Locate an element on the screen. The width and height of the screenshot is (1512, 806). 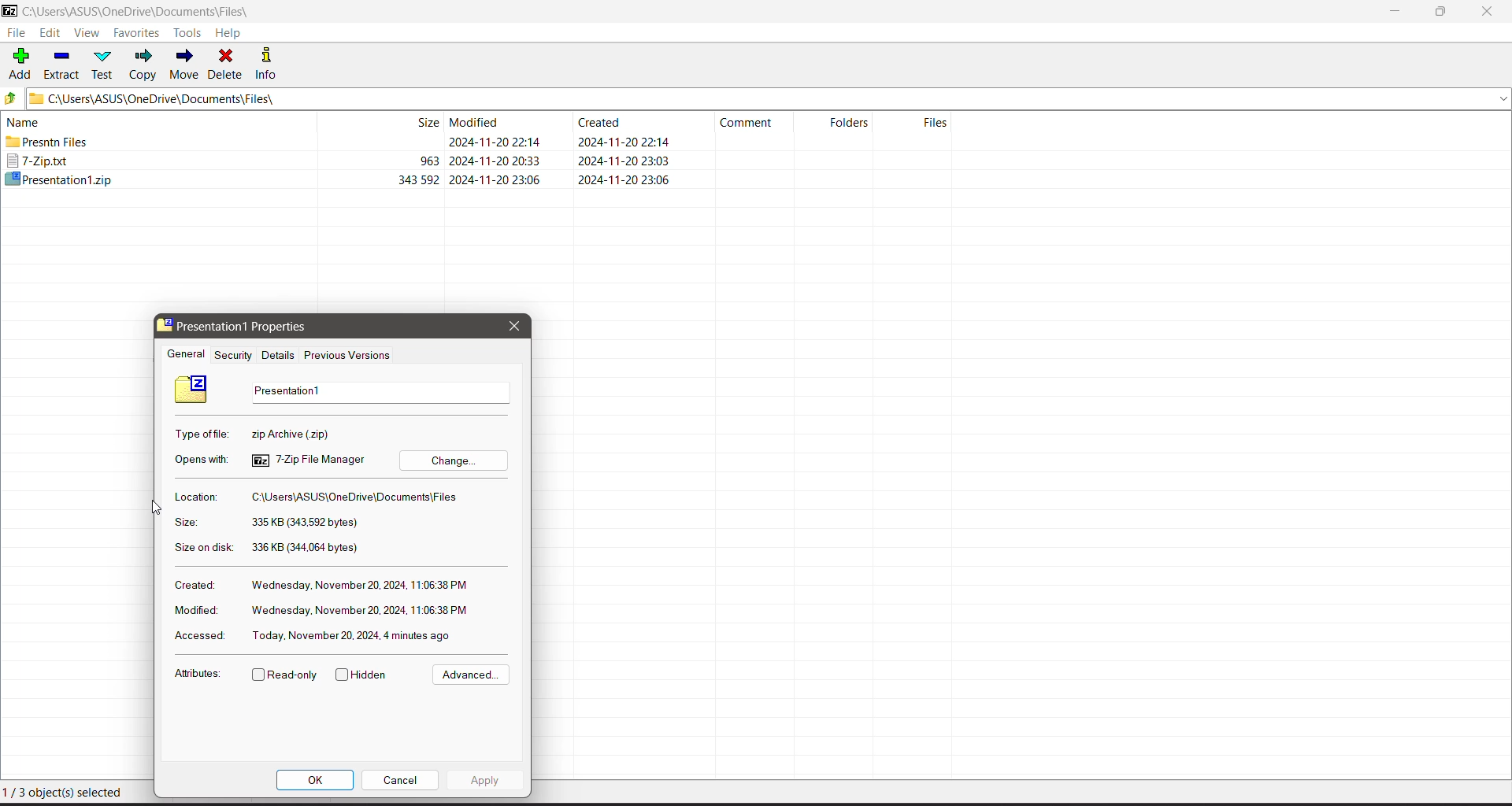
File is located at coordinates (16, 33).